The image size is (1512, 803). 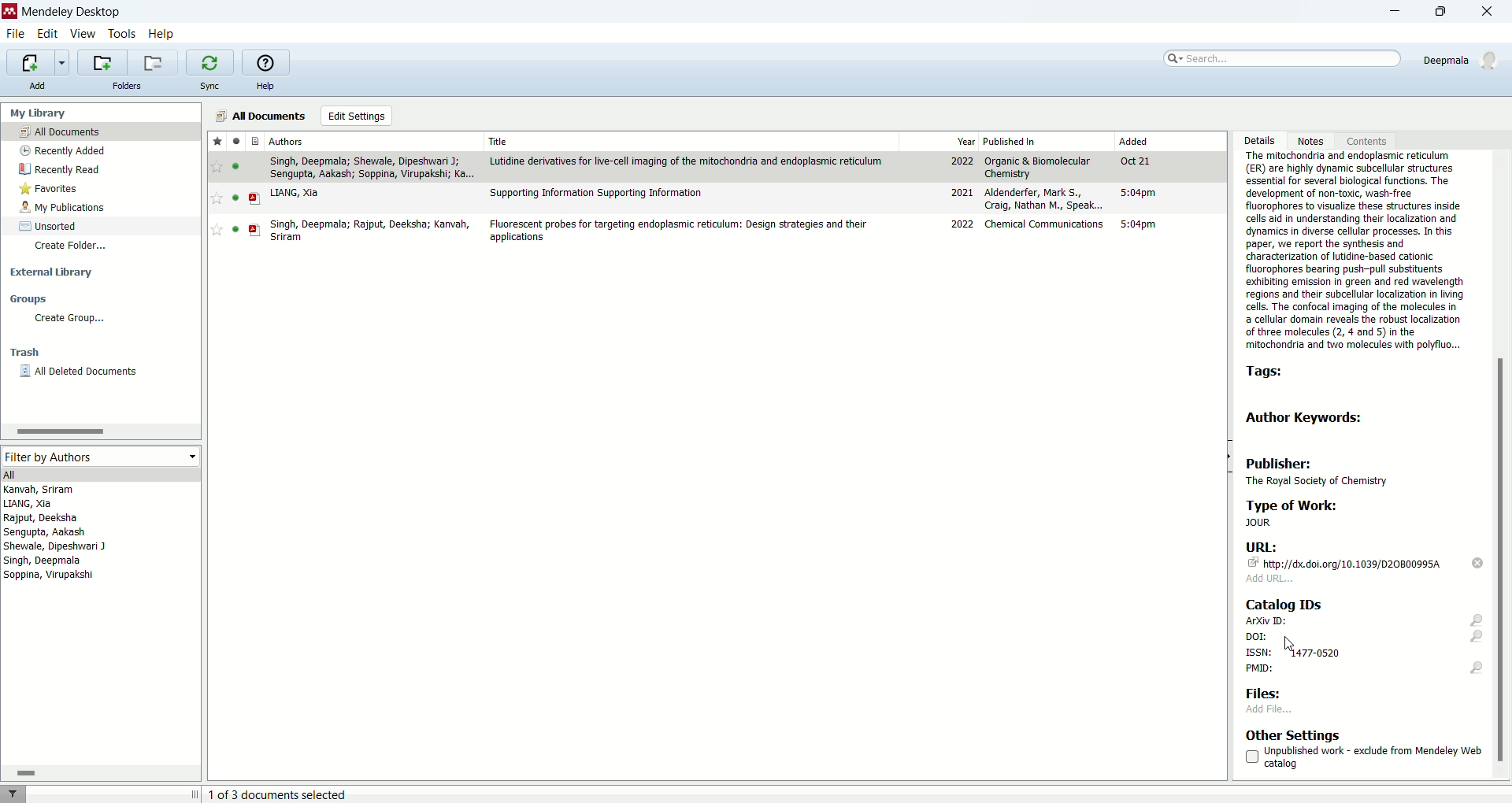 I want to click on vertical scroll bar, so click(x=1503, y=464).